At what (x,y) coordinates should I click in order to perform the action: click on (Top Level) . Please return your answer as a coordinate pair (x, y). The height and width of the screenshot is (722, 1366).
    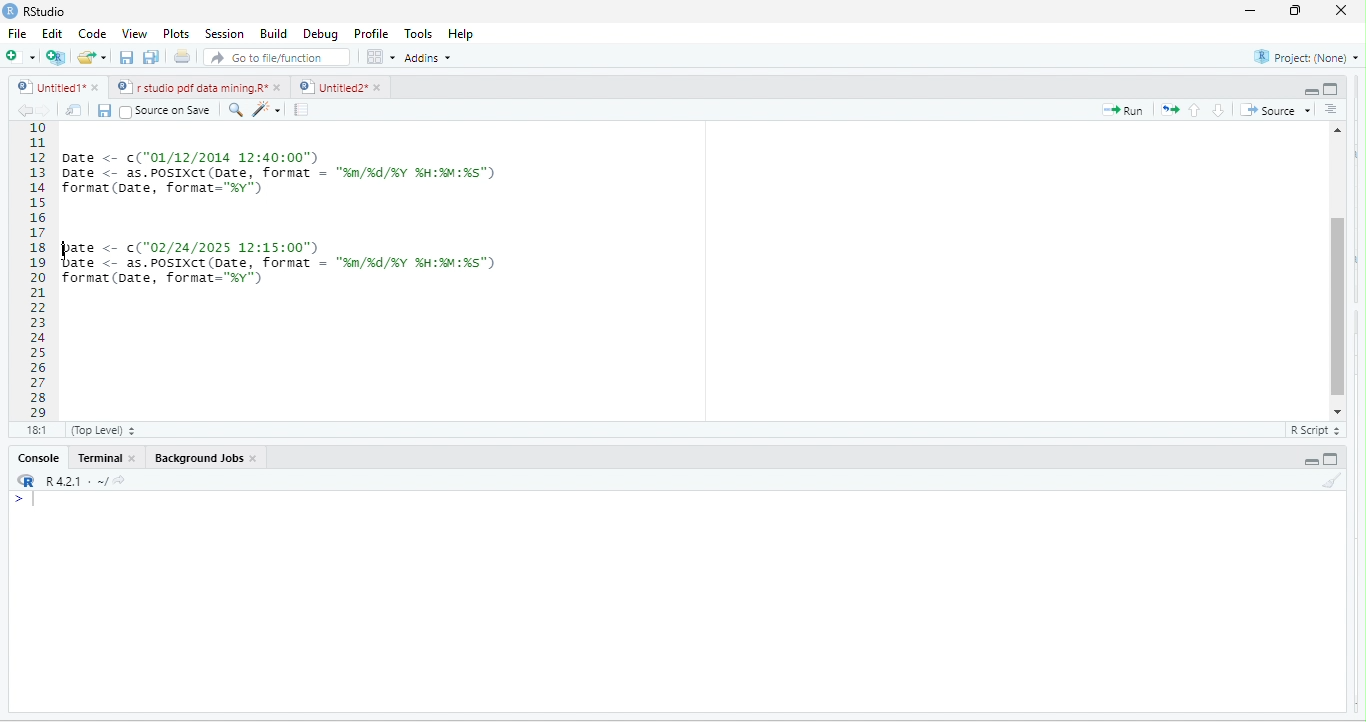
    Looking at the image, I should click on (100, 433).